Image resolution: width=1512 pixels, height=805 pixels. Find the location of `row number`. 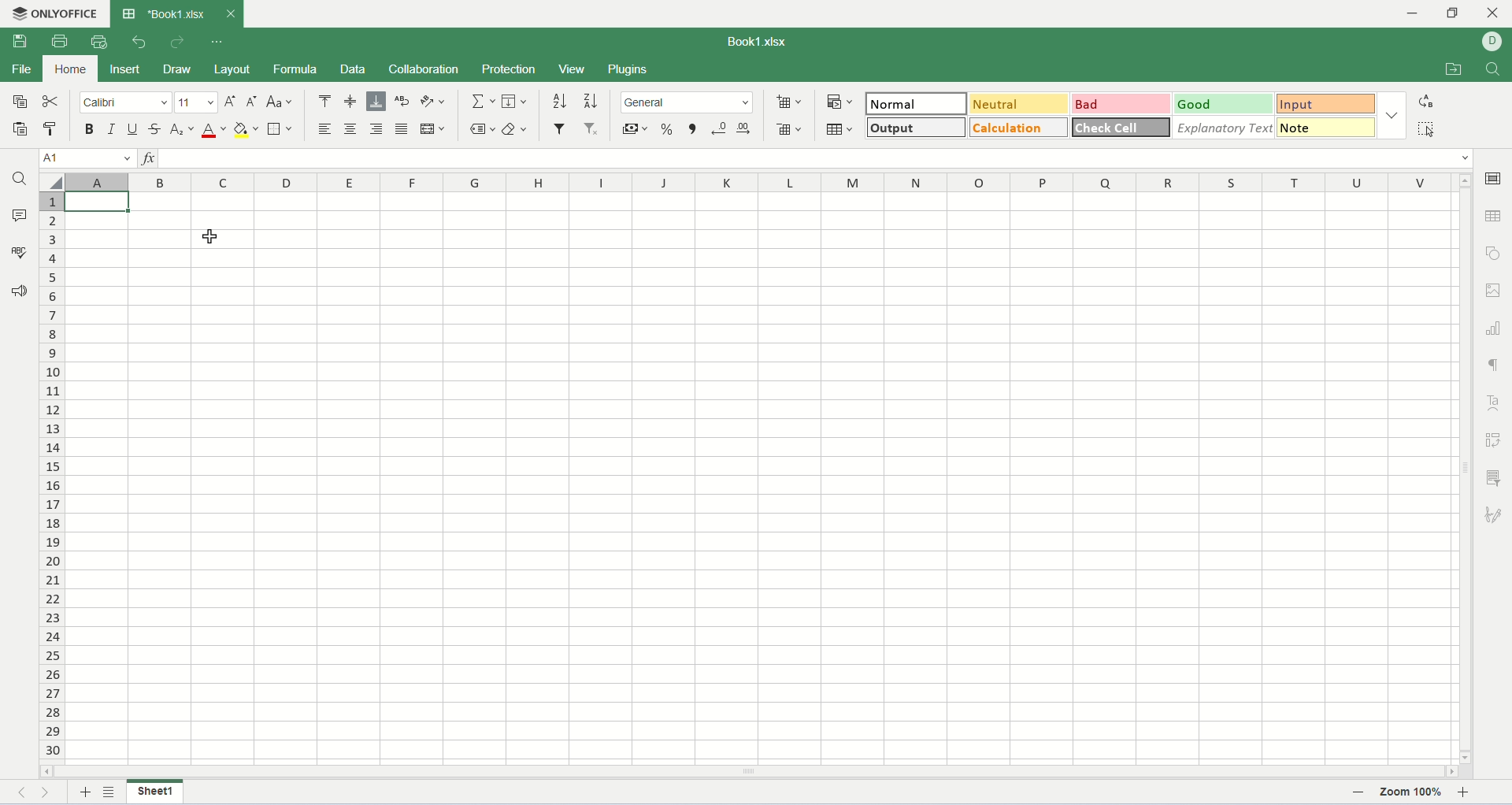

row number is located at coordinates (49, 475).